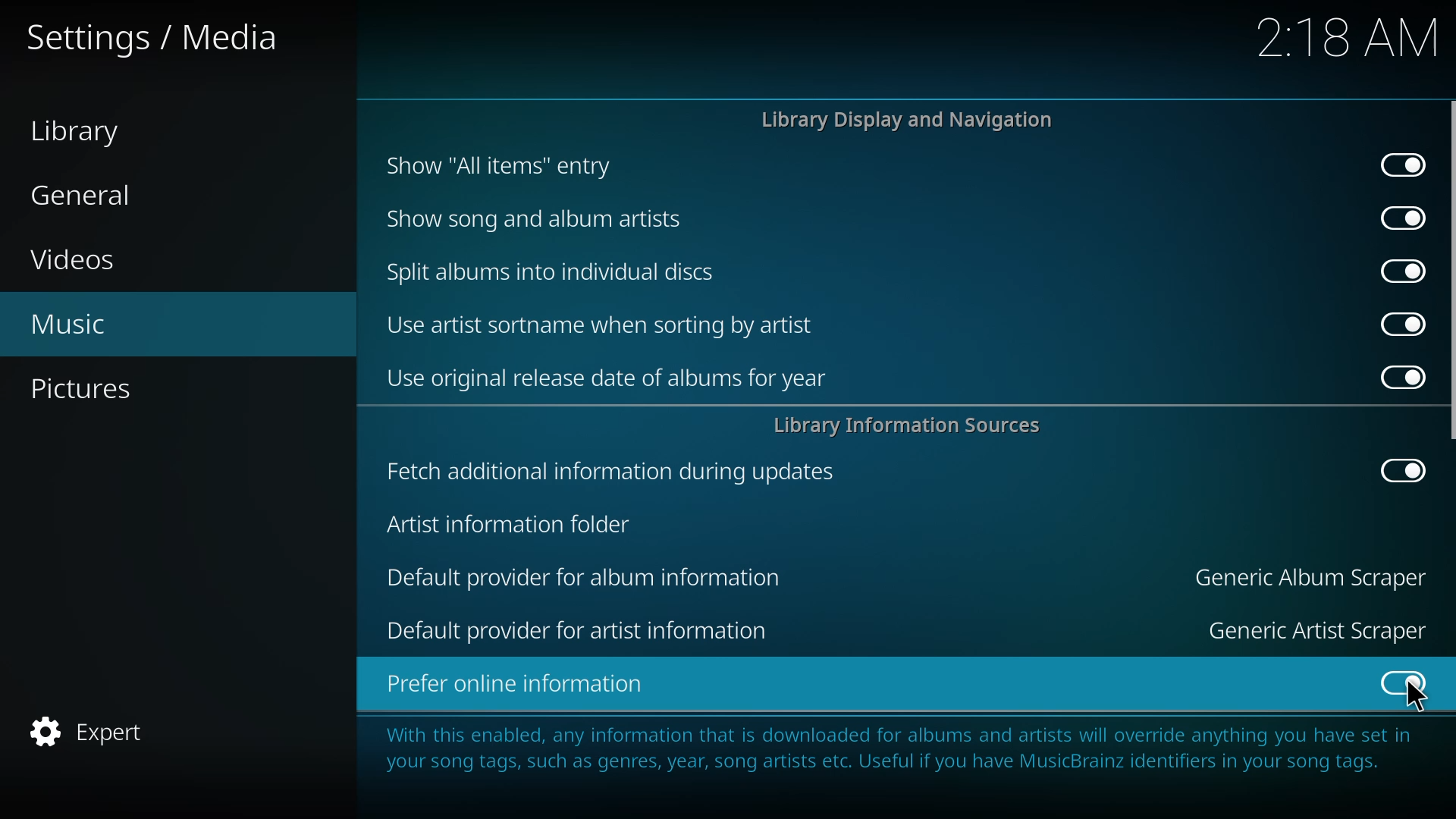 This screenshot has width=1456, height=819. I want to click on library info sources, so click(908, 424).